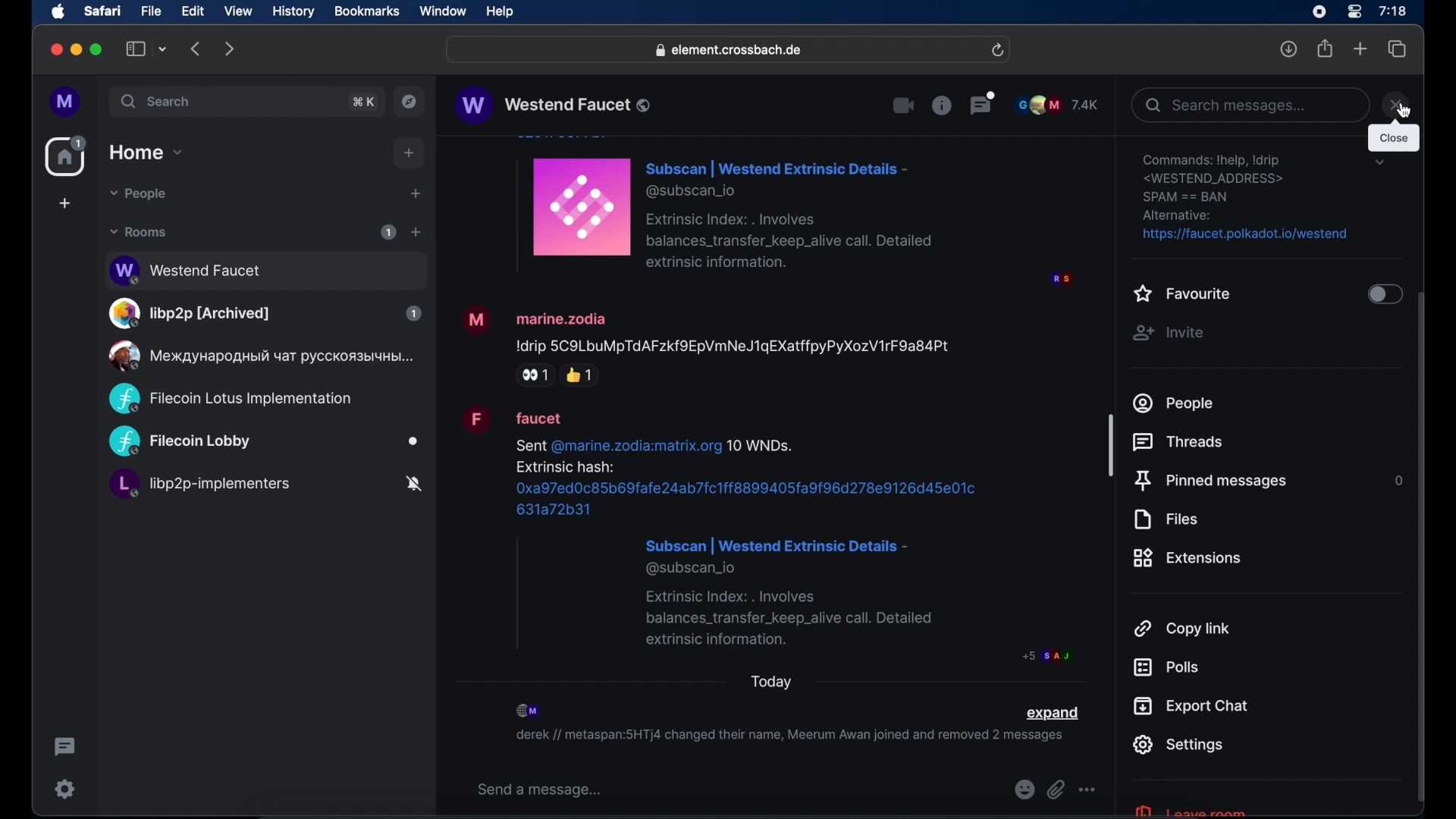 The width and height of the screenshot is (1456, 819). I want to click on copy link, so click(1183, 627).